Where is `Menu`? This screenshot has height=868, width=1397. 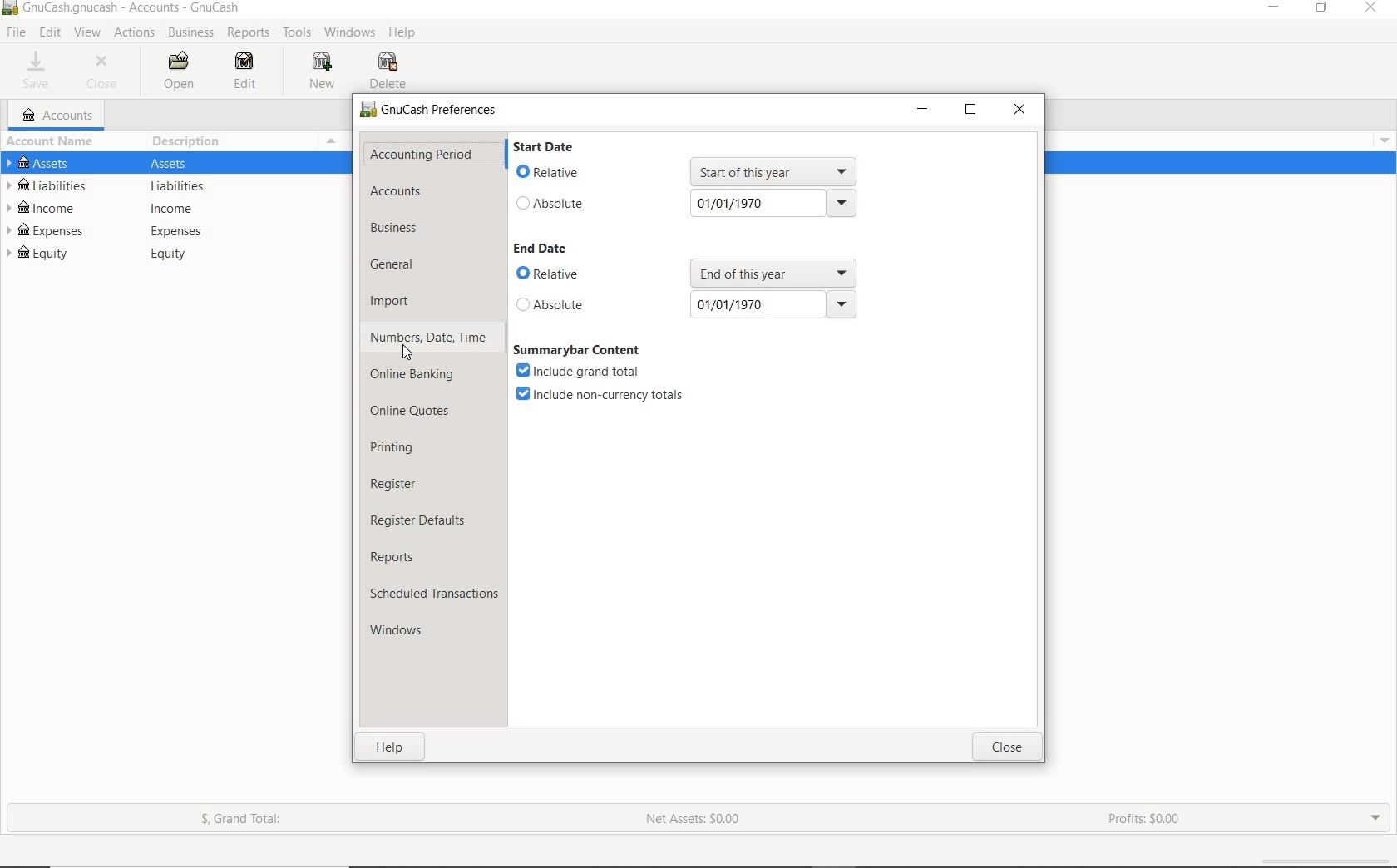 Menu is located at coordinates (1380, 139).